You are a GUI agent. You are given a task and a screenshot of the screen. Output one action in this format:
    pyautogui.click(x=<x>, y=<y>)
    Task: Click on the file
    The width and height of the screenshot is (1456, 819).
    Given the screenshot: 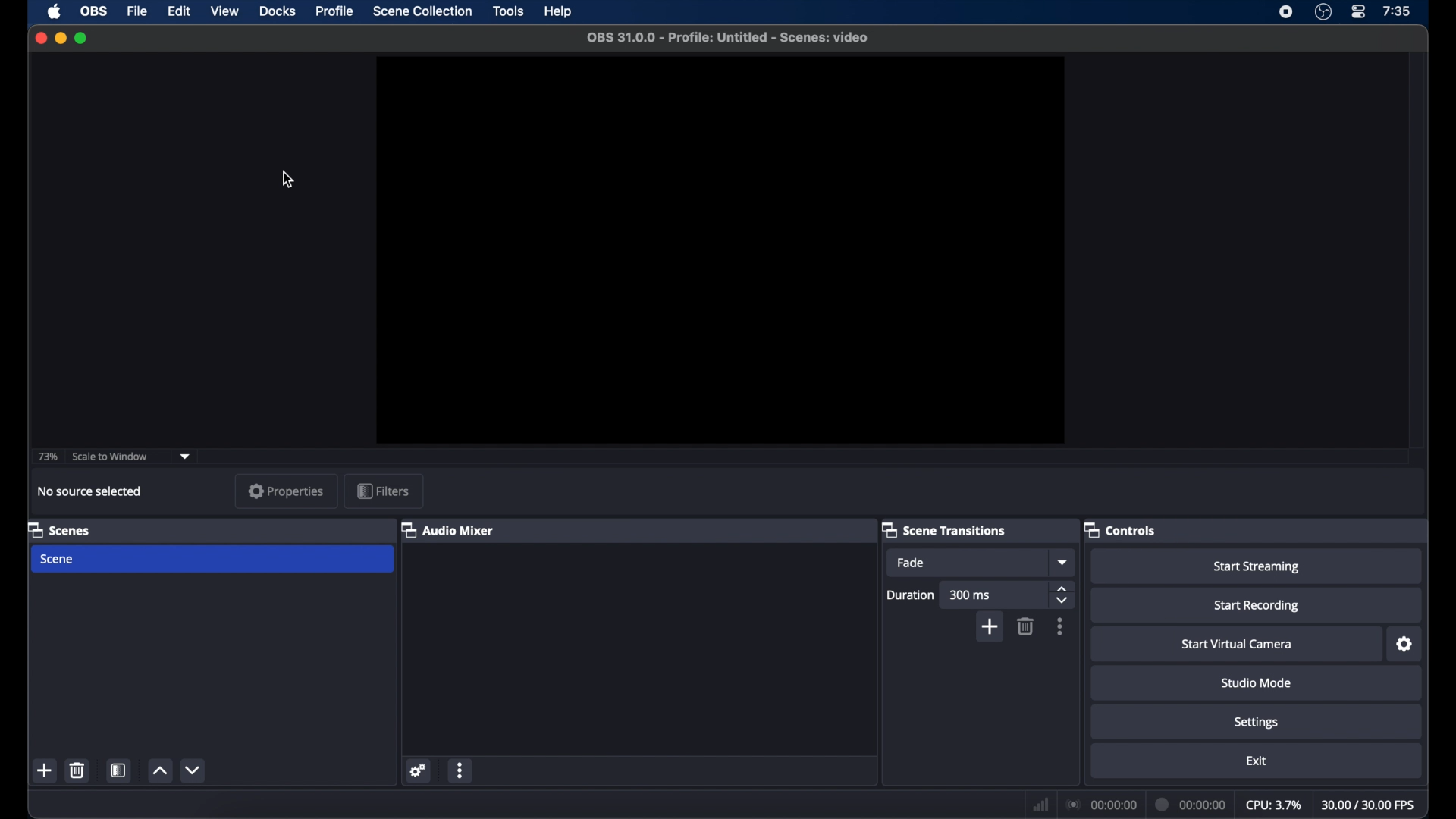 What is the action you would take?
    pyautogui.click(x=138, y=12)
    